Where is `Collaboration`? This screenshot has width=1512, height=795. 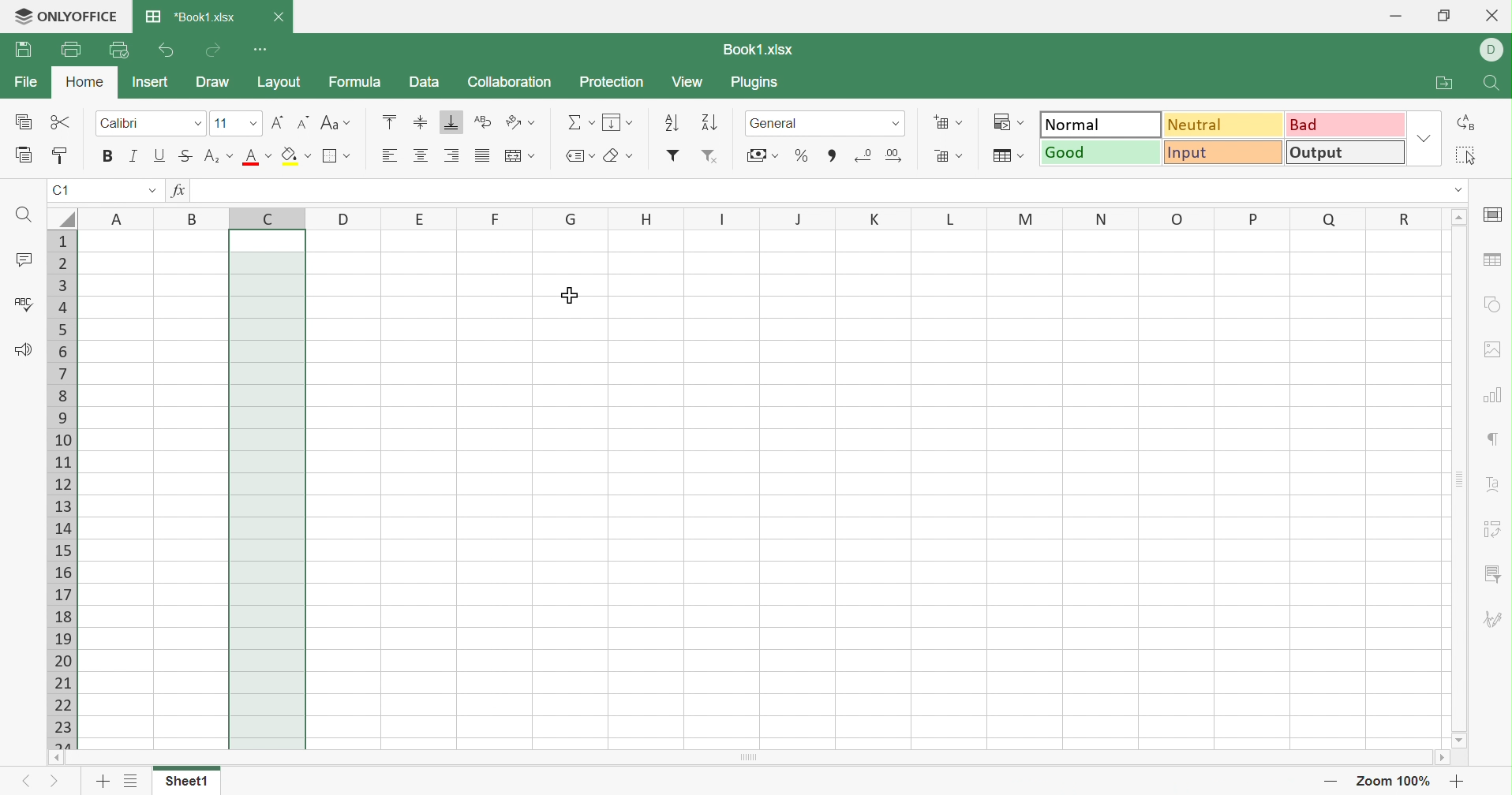
Collaboration is located at coordinates (510, 80).